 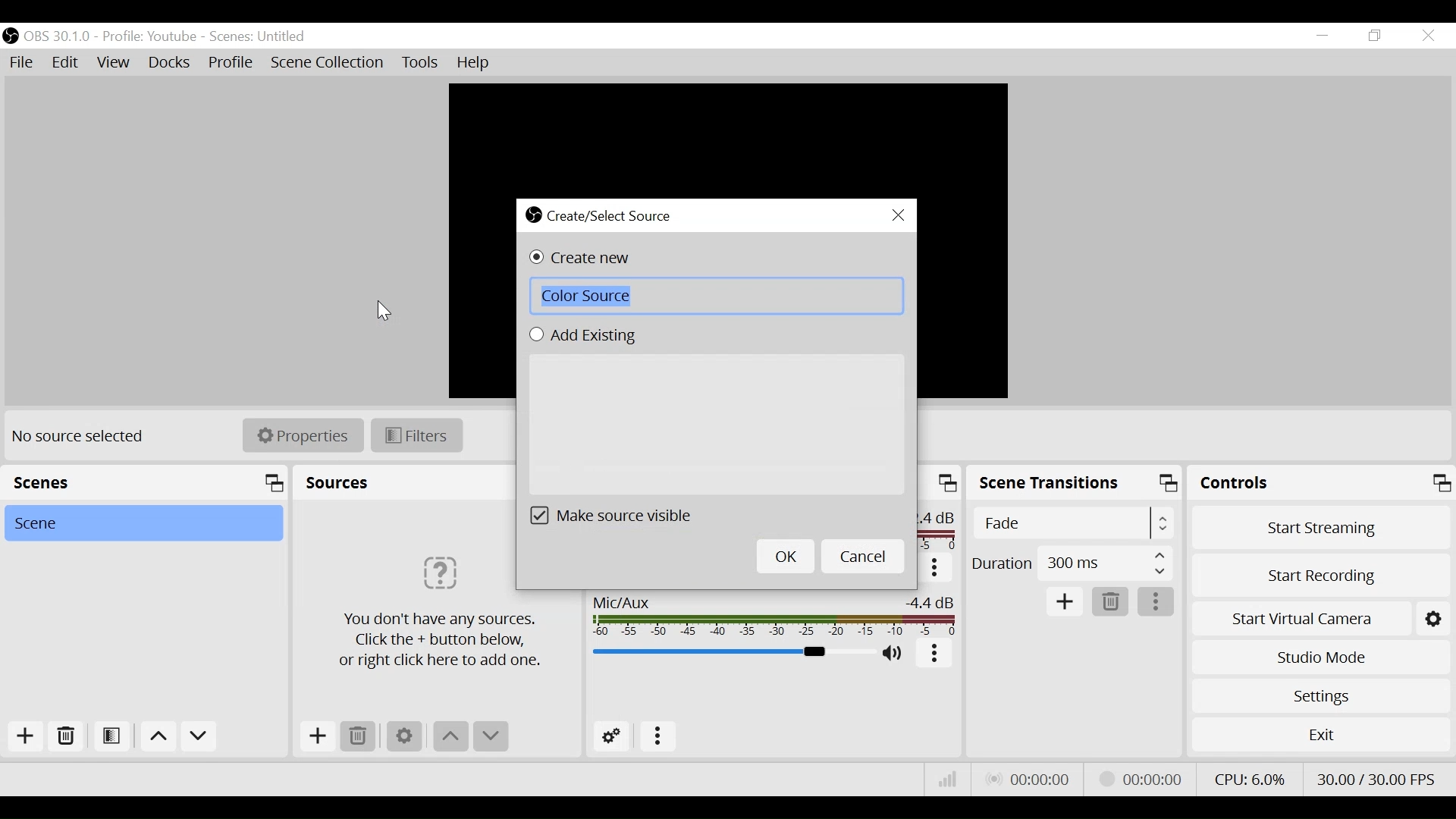 What do you see at coordinates (144, 483) in the screenshot?
I see `Scenes` at bounding box center [144, 483].